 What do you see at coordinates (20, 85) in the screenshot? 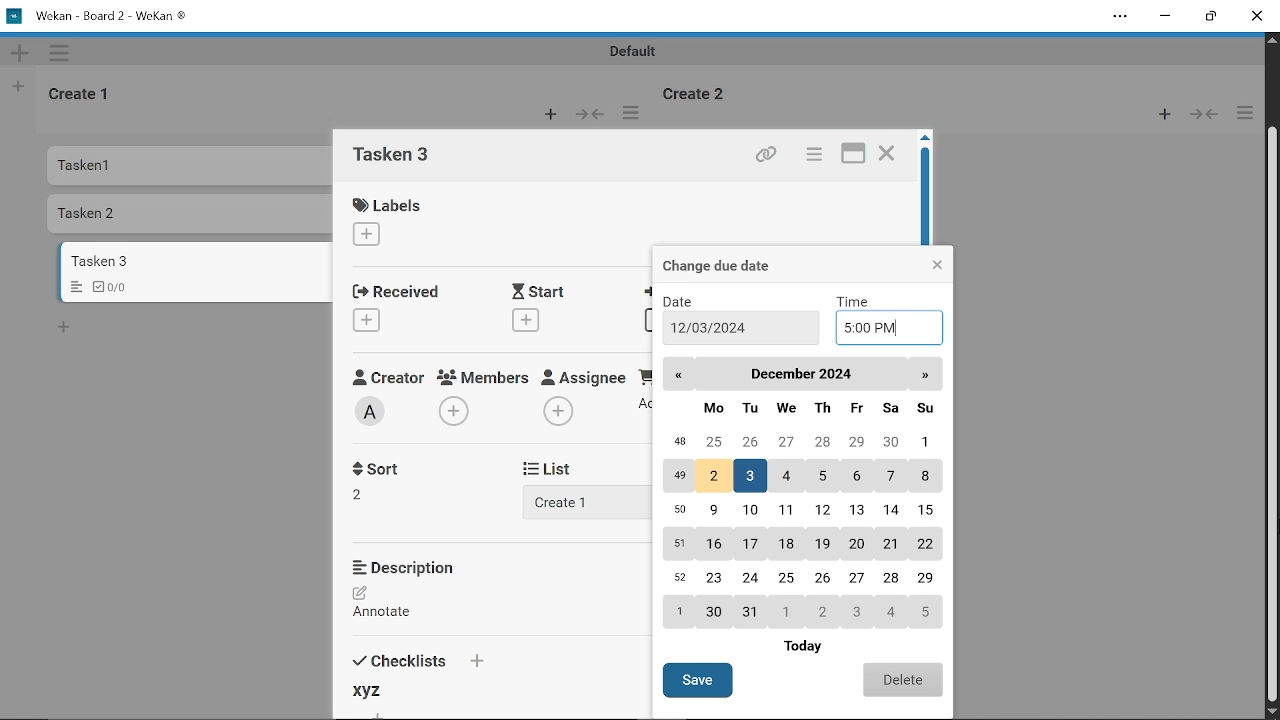
I see `New` at bounding box center [20, 85].